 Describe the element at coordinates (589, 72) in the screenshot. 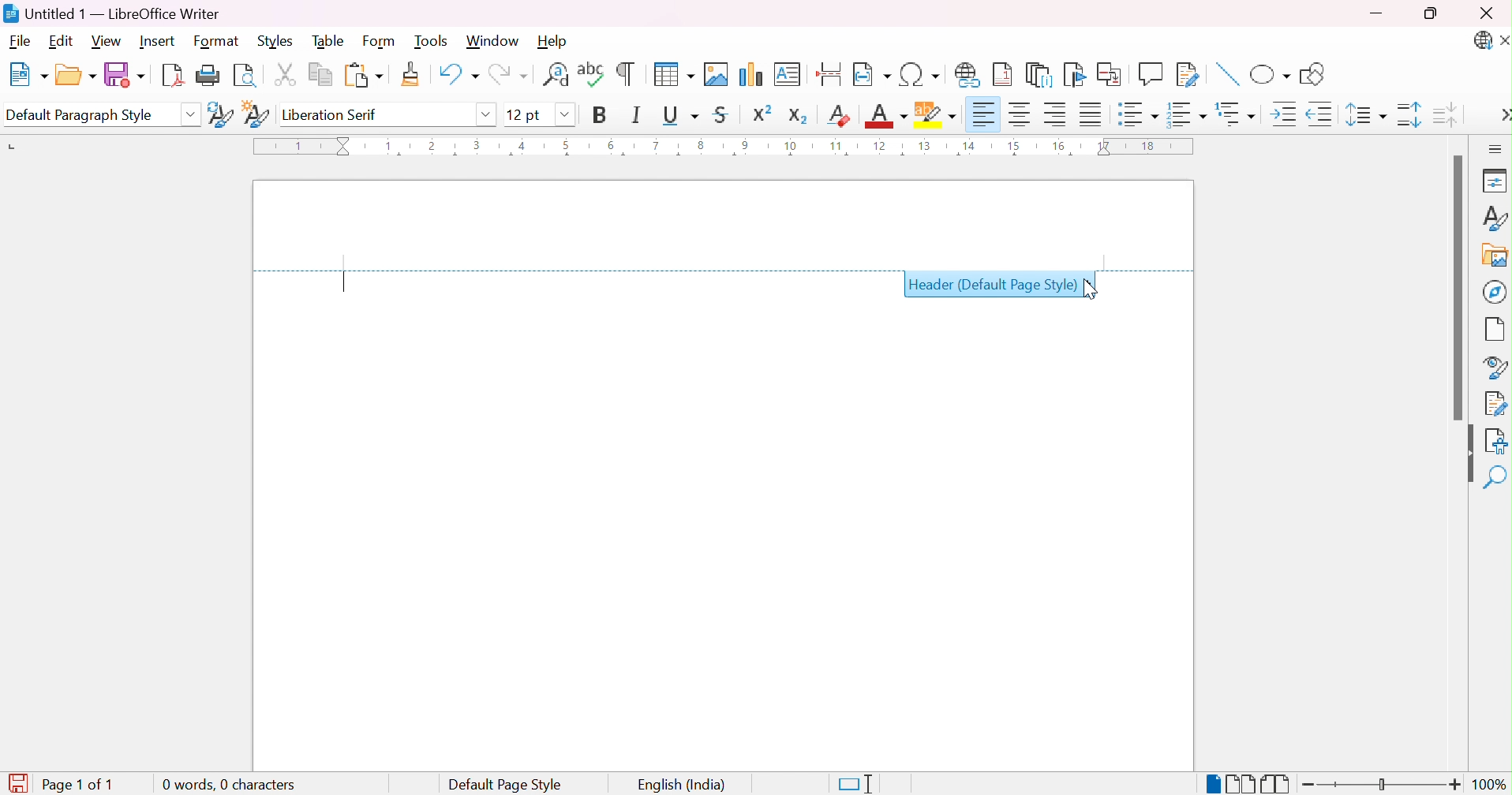

I see `Check spelling` at that location.